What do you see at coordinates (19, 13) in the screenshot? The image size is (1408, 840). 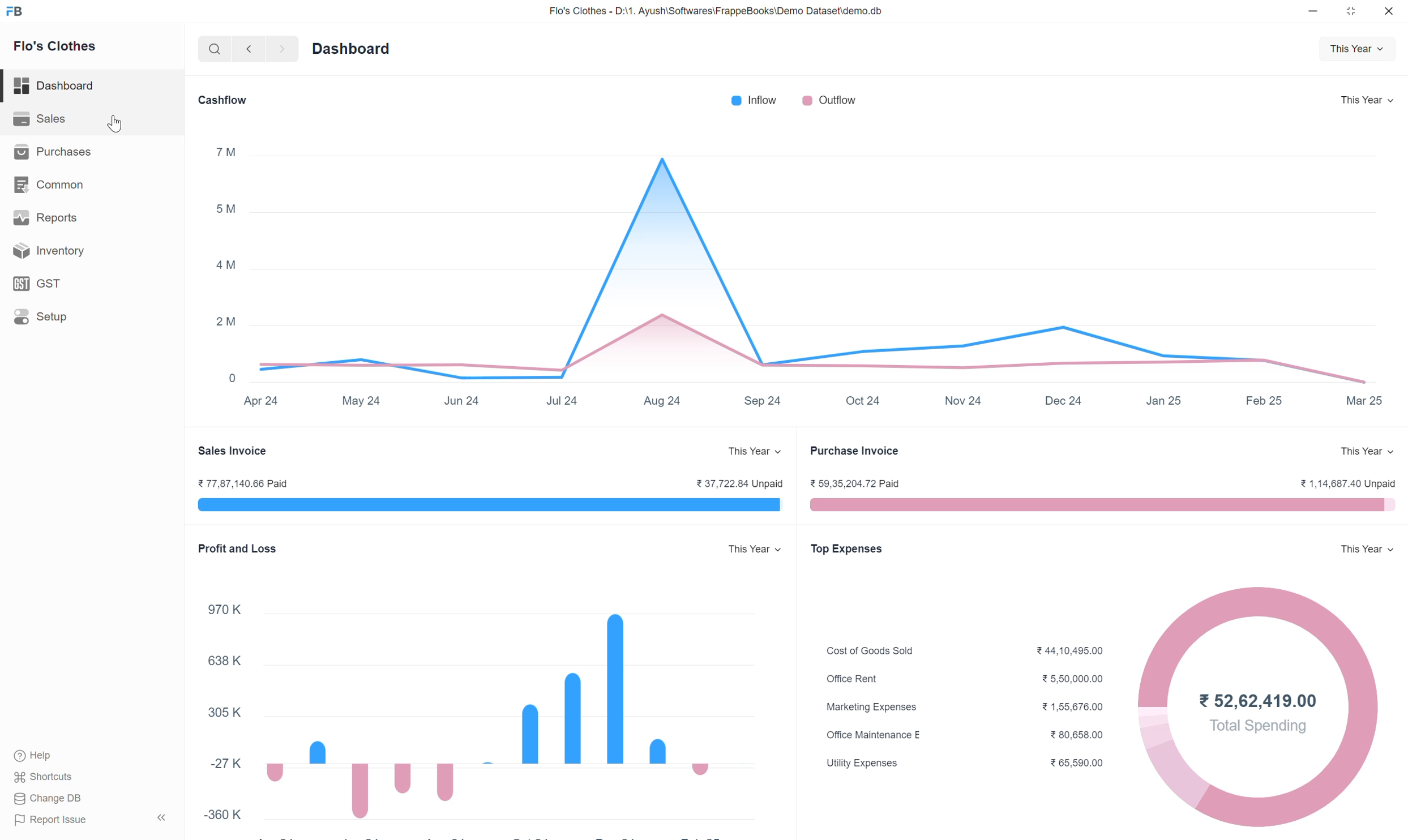 I see `FB` at bounding box center [19, 13].